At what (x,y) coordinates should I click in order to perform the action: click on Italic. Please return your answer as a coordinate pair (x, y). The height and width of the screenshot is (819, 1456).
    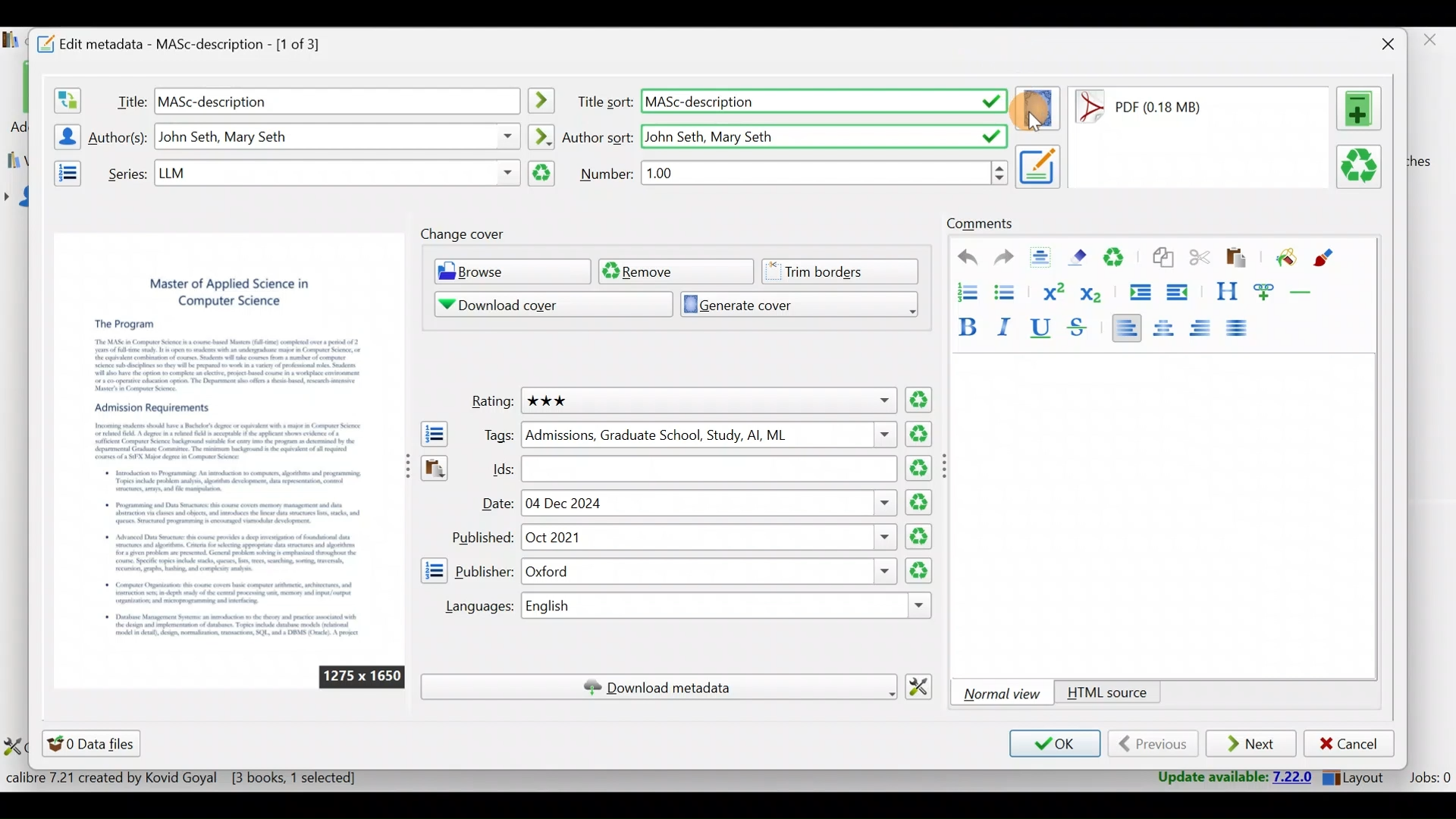
    Looking at the image, I should click on (1008, 326).